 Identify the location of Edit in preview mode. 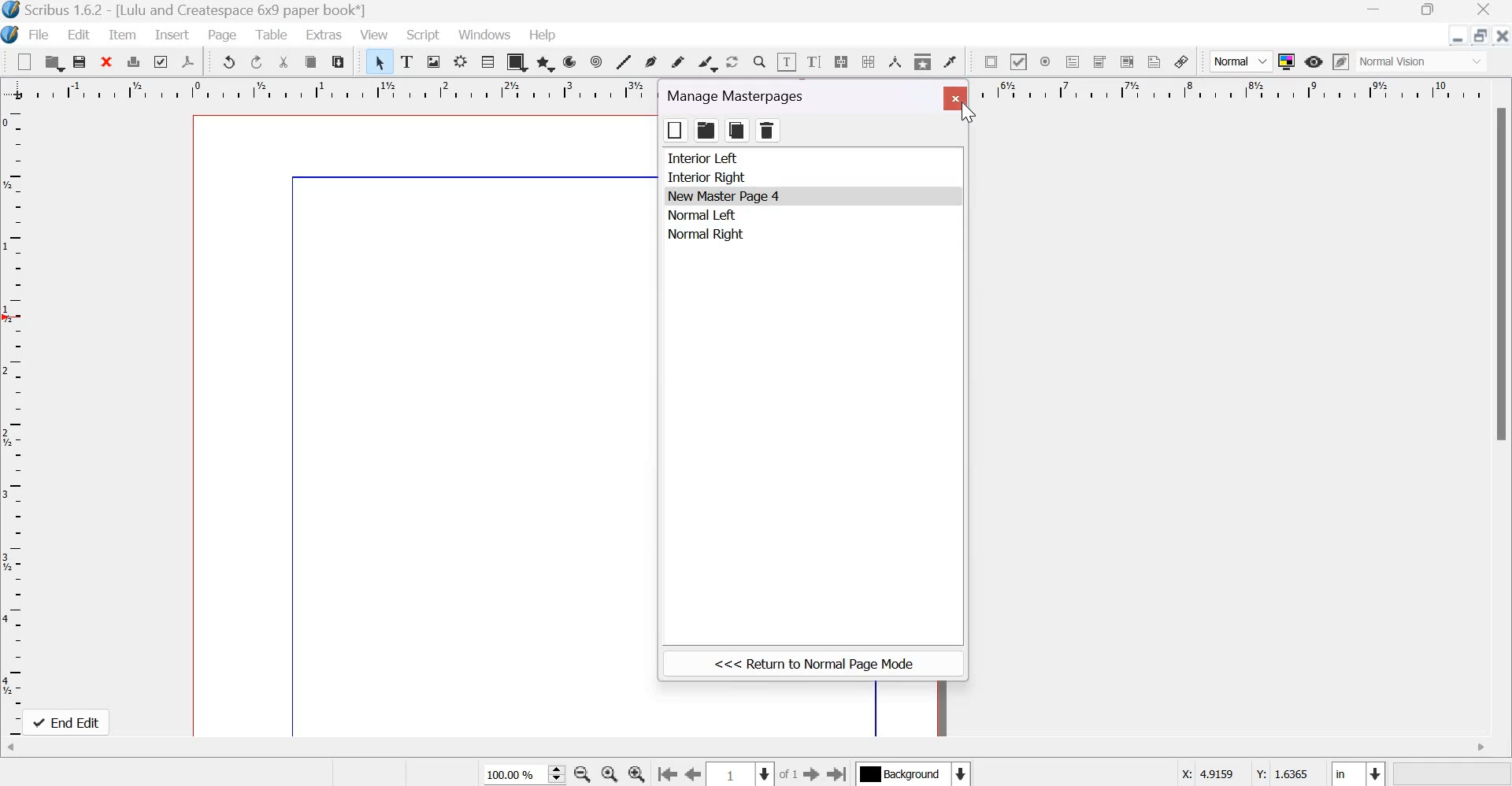
(1340, 61).